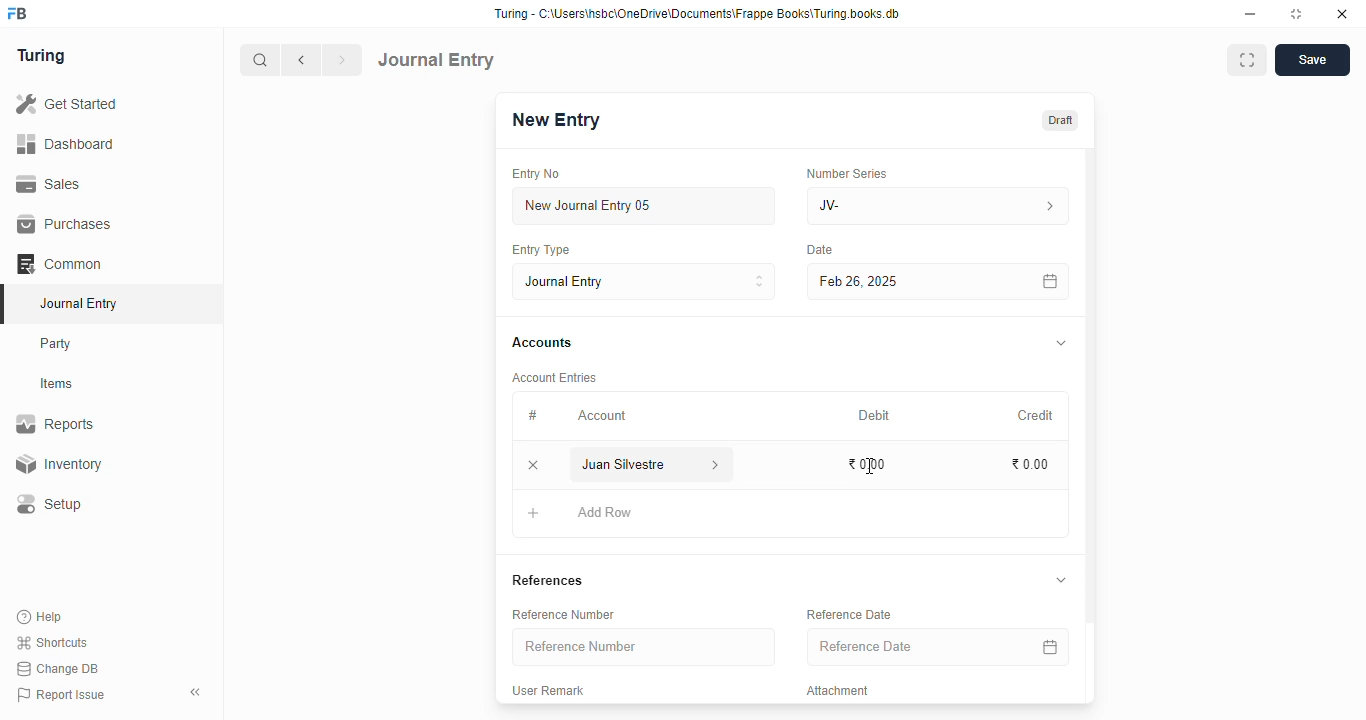  What do you see at coordinates (49, 183) in the screenshot?
I see `sales` at bounding box center [49, 183].